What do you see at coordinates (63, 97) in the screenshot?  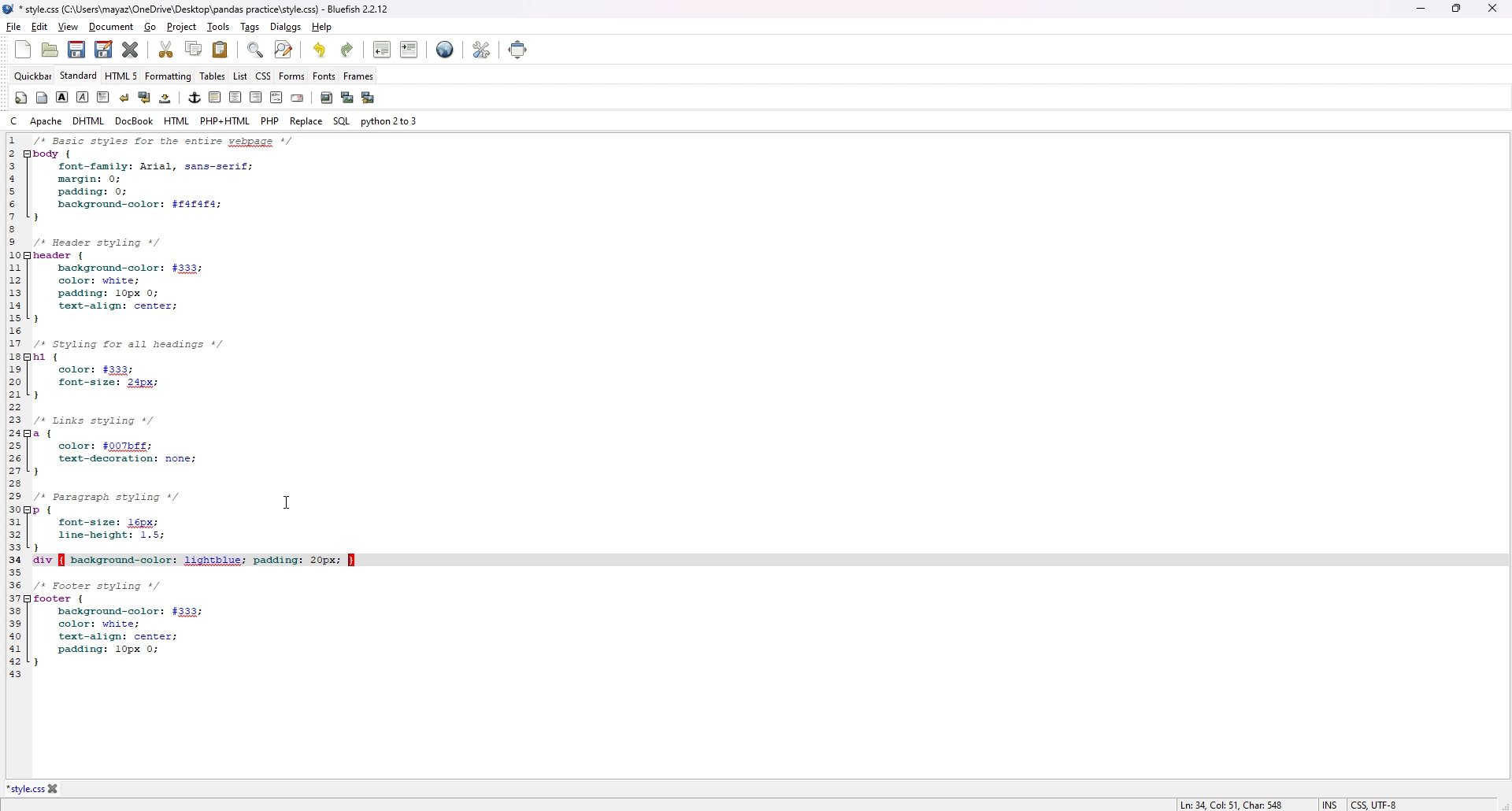 I see `bold` at bounding box center [63, 97].